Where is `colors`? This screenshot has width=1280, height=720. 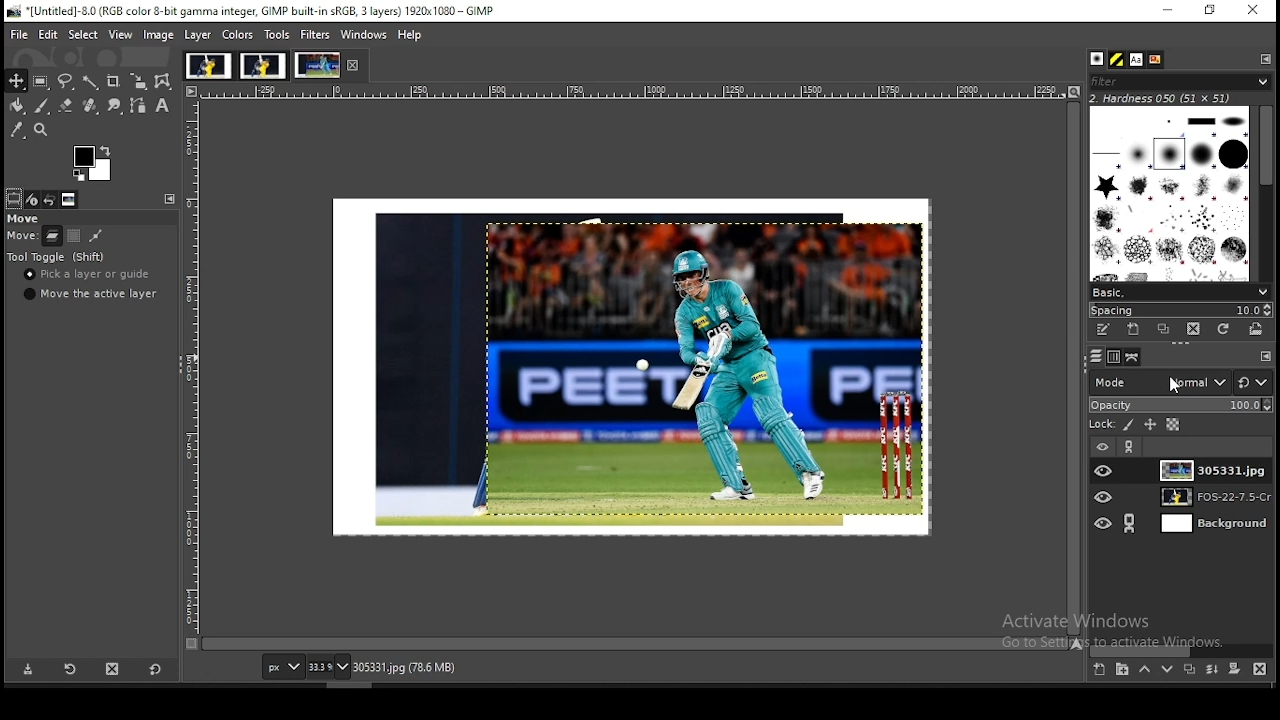
colors is located at coordinates (238, 35).